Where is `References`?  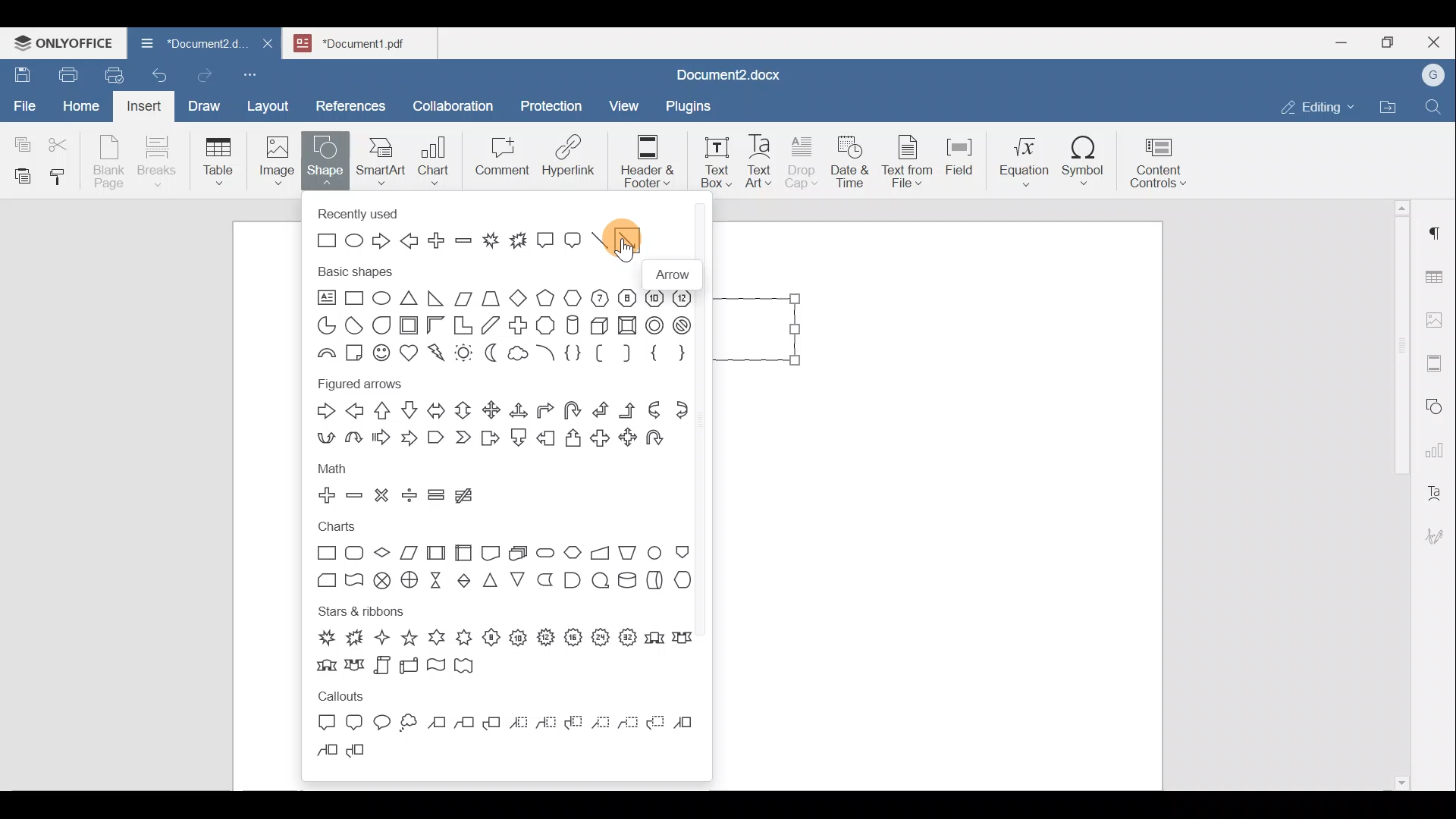
References is located at coordinates (350, 104).